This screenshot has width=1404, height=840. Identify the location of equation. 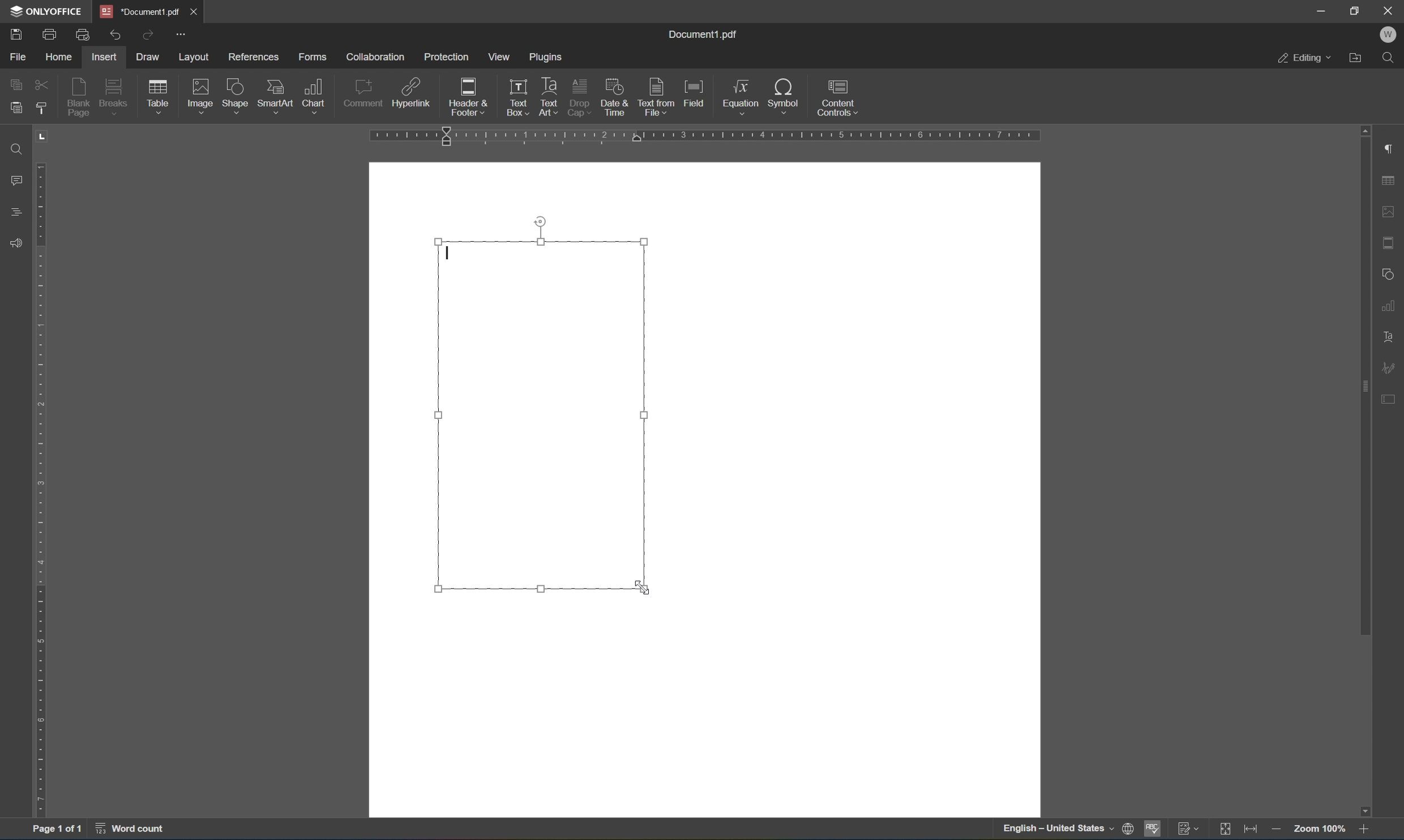
(741, 97).